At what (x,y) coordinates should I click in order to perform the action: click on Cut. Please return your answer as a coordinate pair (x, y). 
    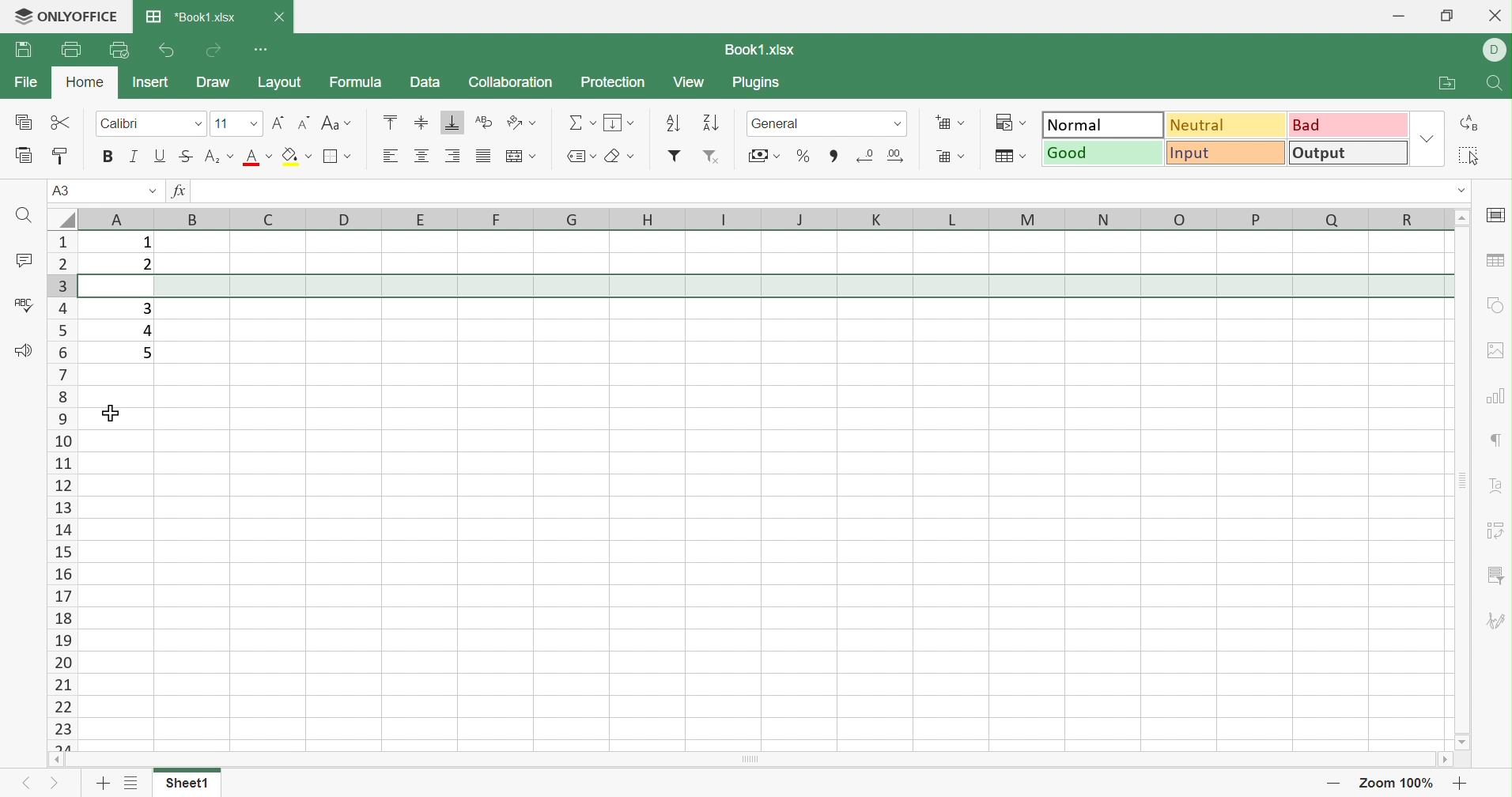
    Looking at the image, I should click on (61, 123).